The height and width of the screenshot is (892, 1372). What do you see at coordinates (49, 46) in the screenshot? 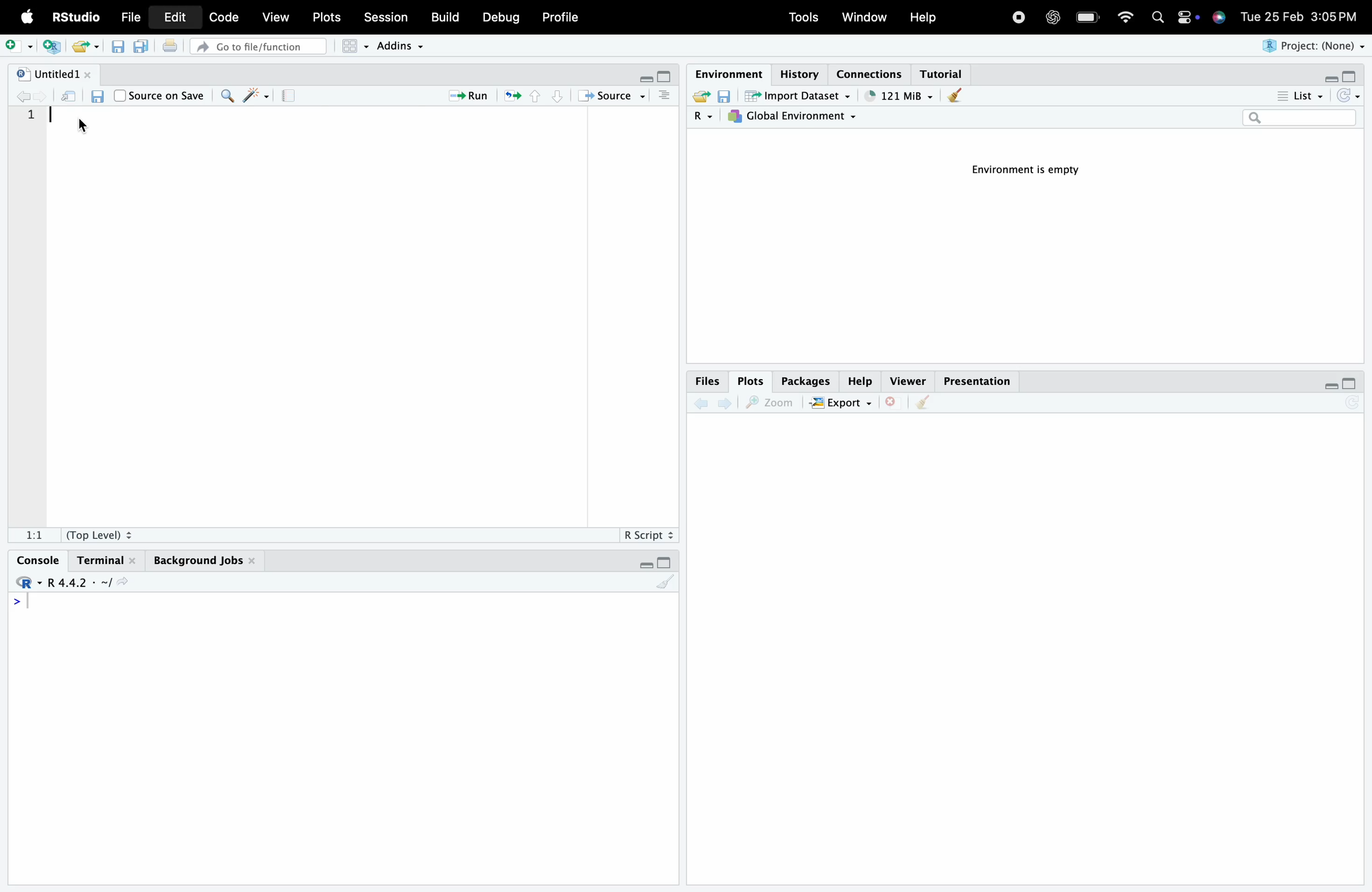
I see `Create a project` at bounding box center [49, 46].